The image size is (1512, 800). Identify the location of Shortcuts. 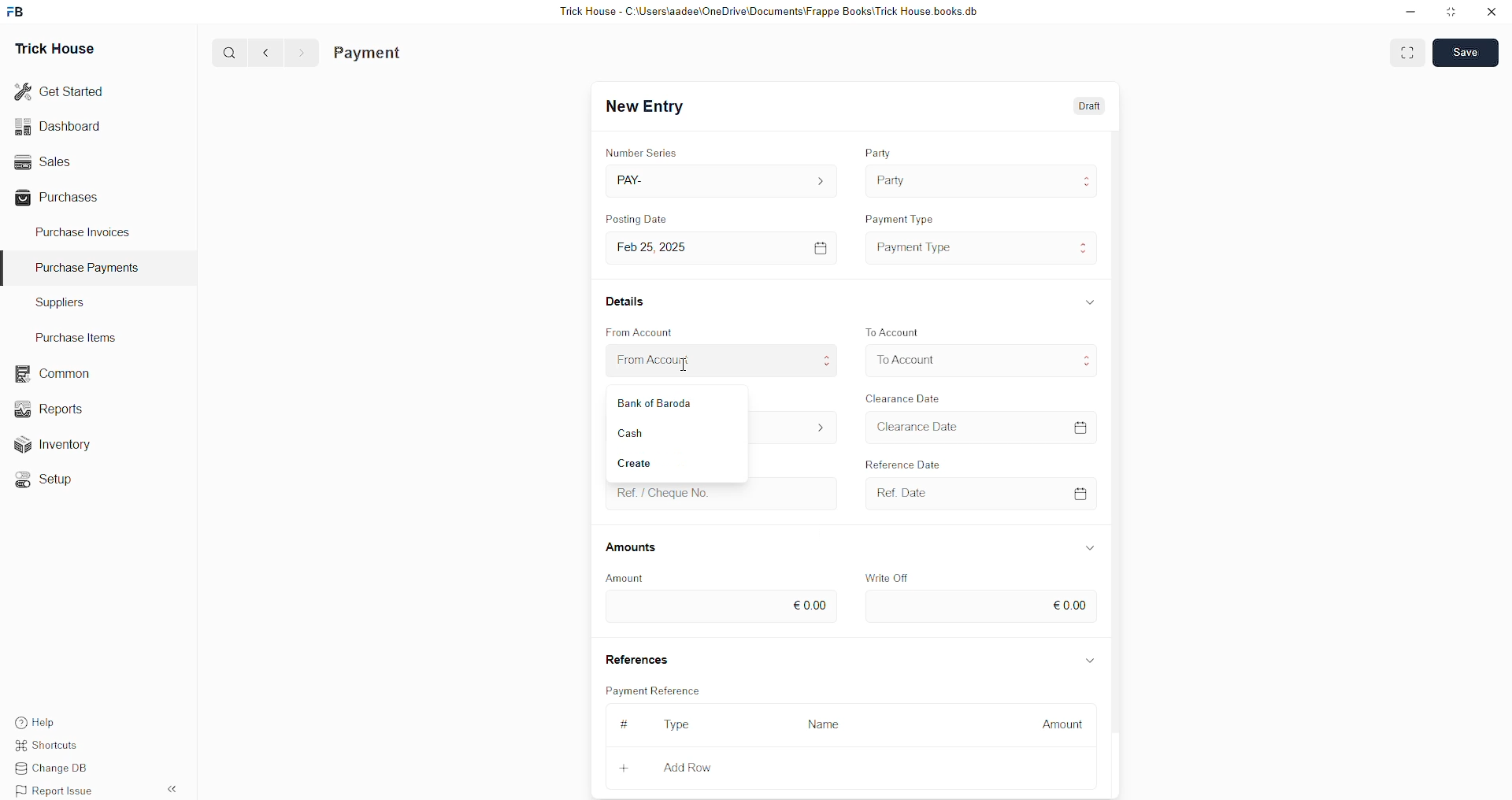
(56, 747).